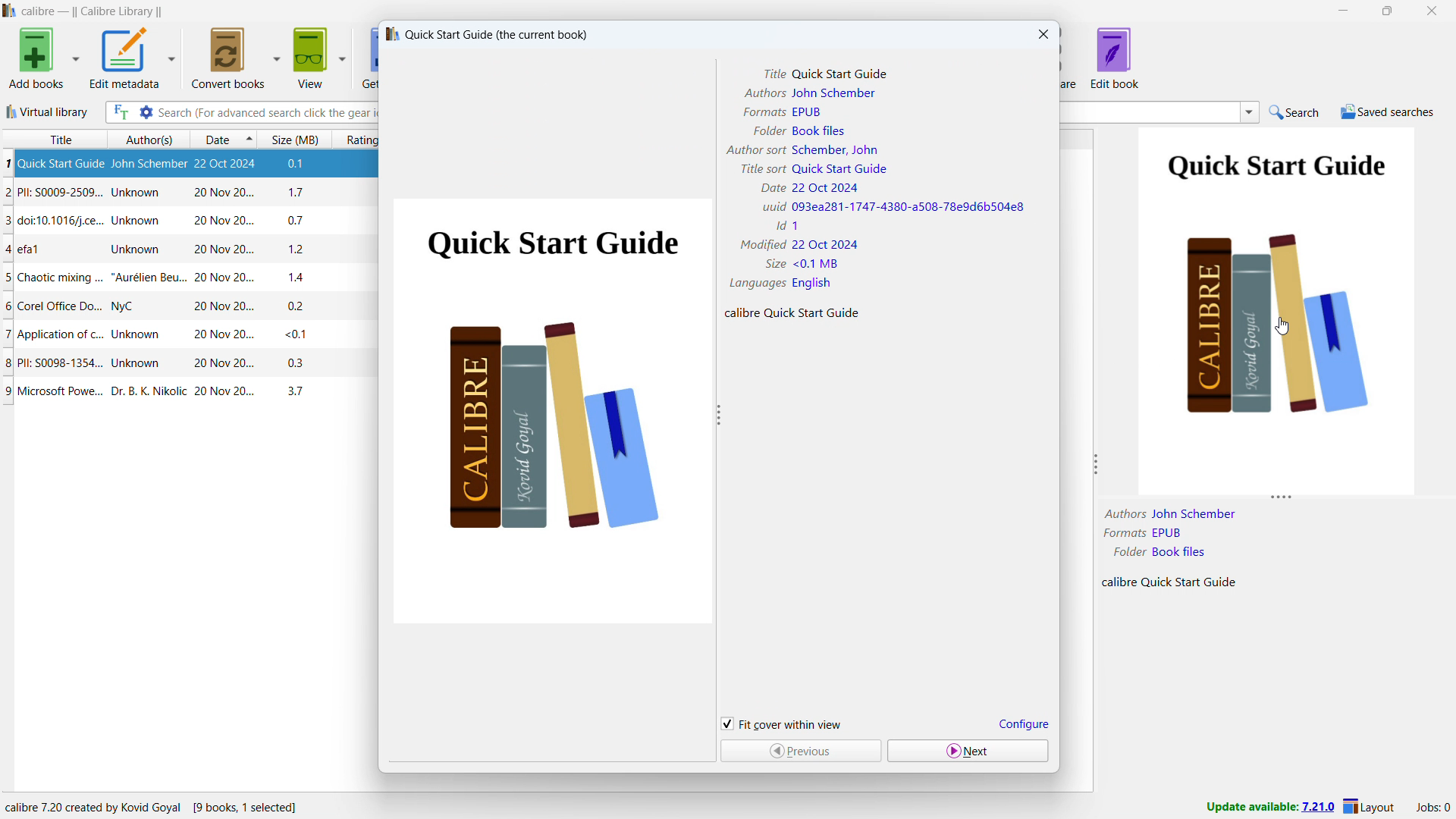  Describe the element at coordinates (840, 169) in the screenshot. I see `Quick style Guide` at that location.